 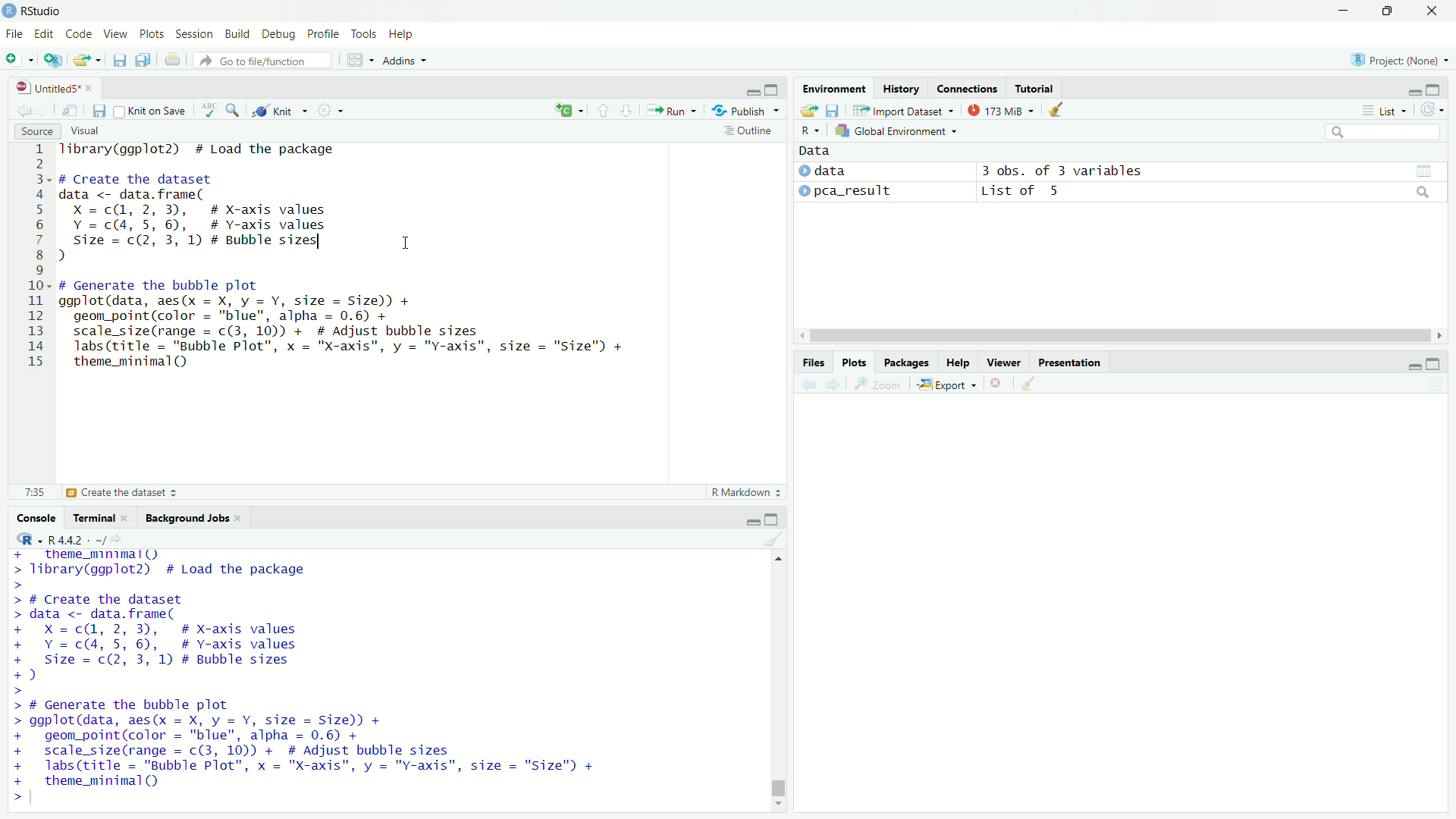 What do you see at coordinates (100, 111) in the screenshot?
I see `save` at bounding box center [100, 111].